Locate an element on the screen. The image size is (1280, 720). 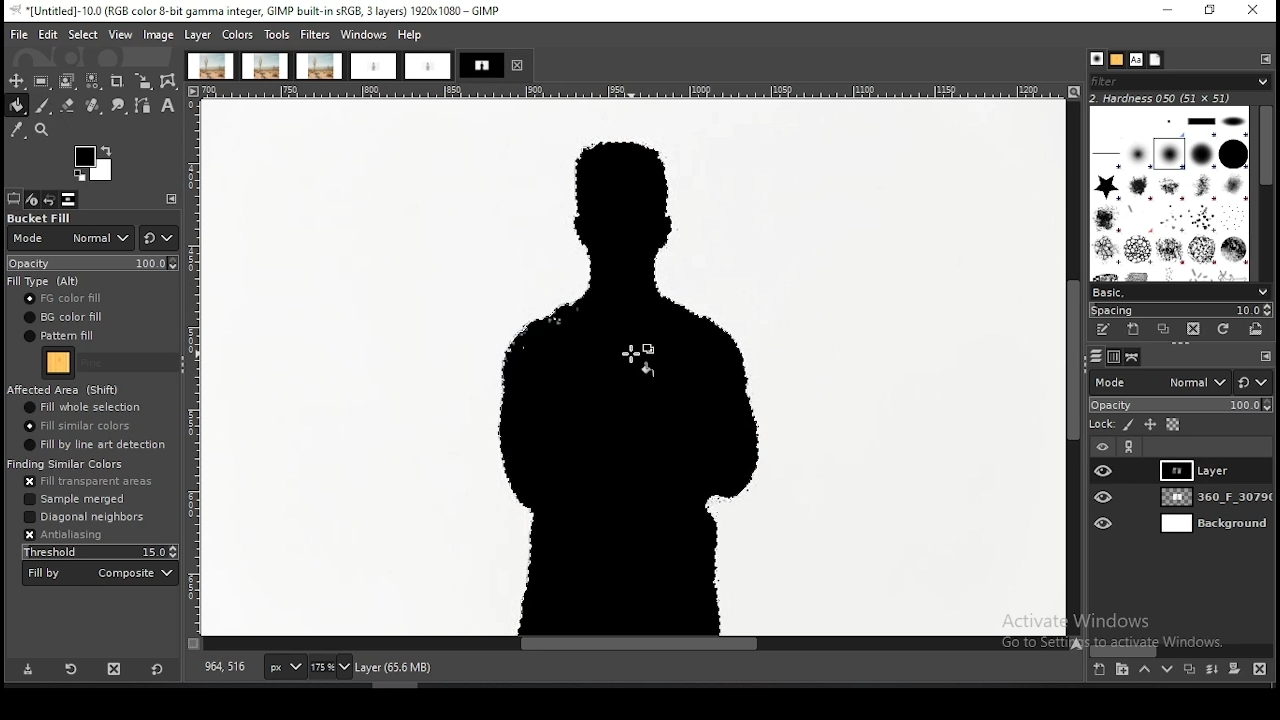
delete tool preset is located at coordinates (116, 667).